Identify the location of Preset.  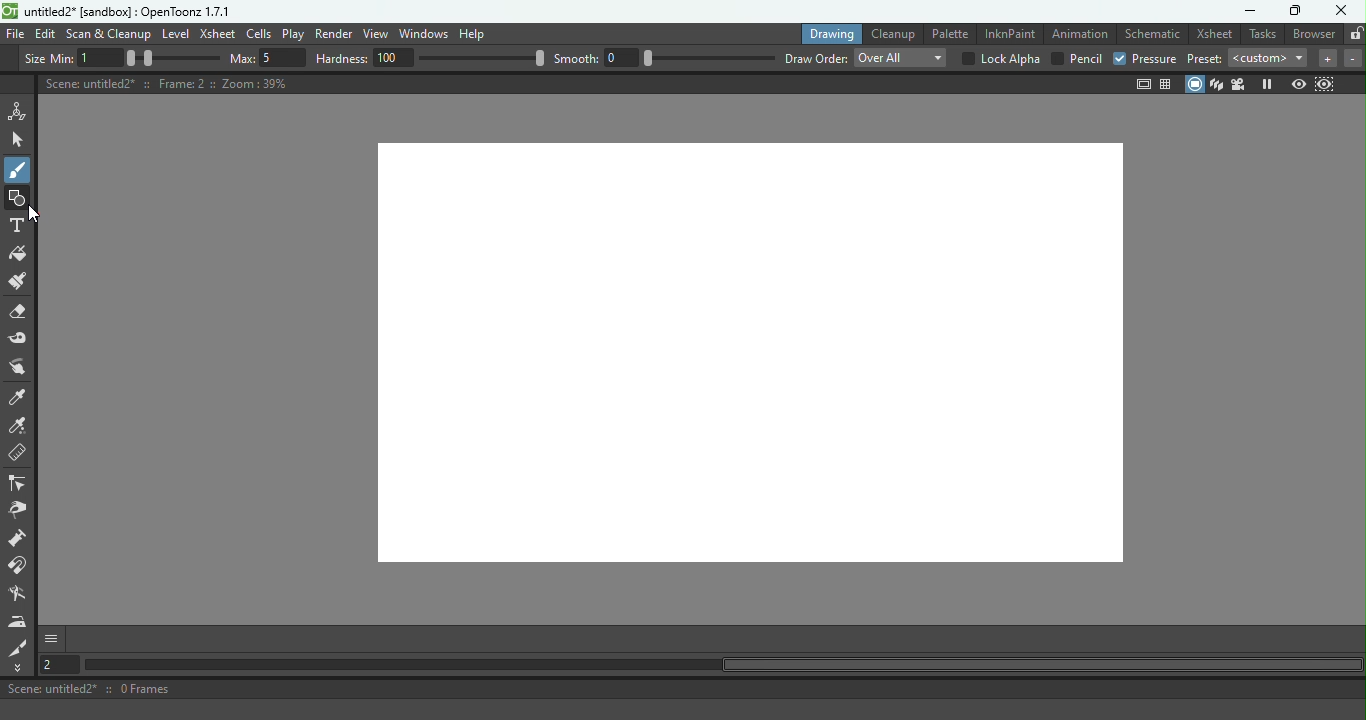
(1274, 59).